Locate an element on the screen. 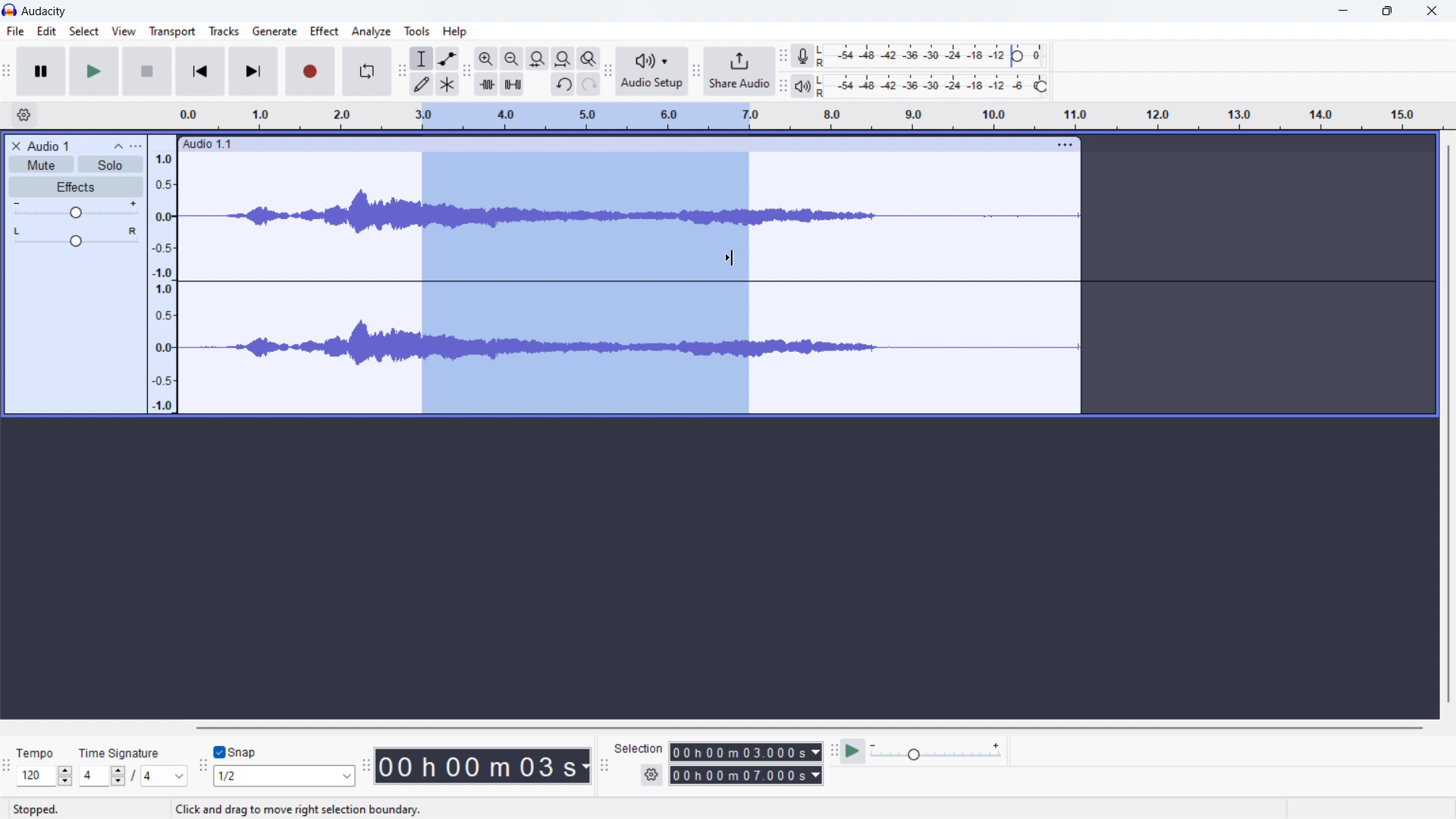 The height and width of the screenshot is (819, 1456). multi tool is located at coordinates (447, 83).